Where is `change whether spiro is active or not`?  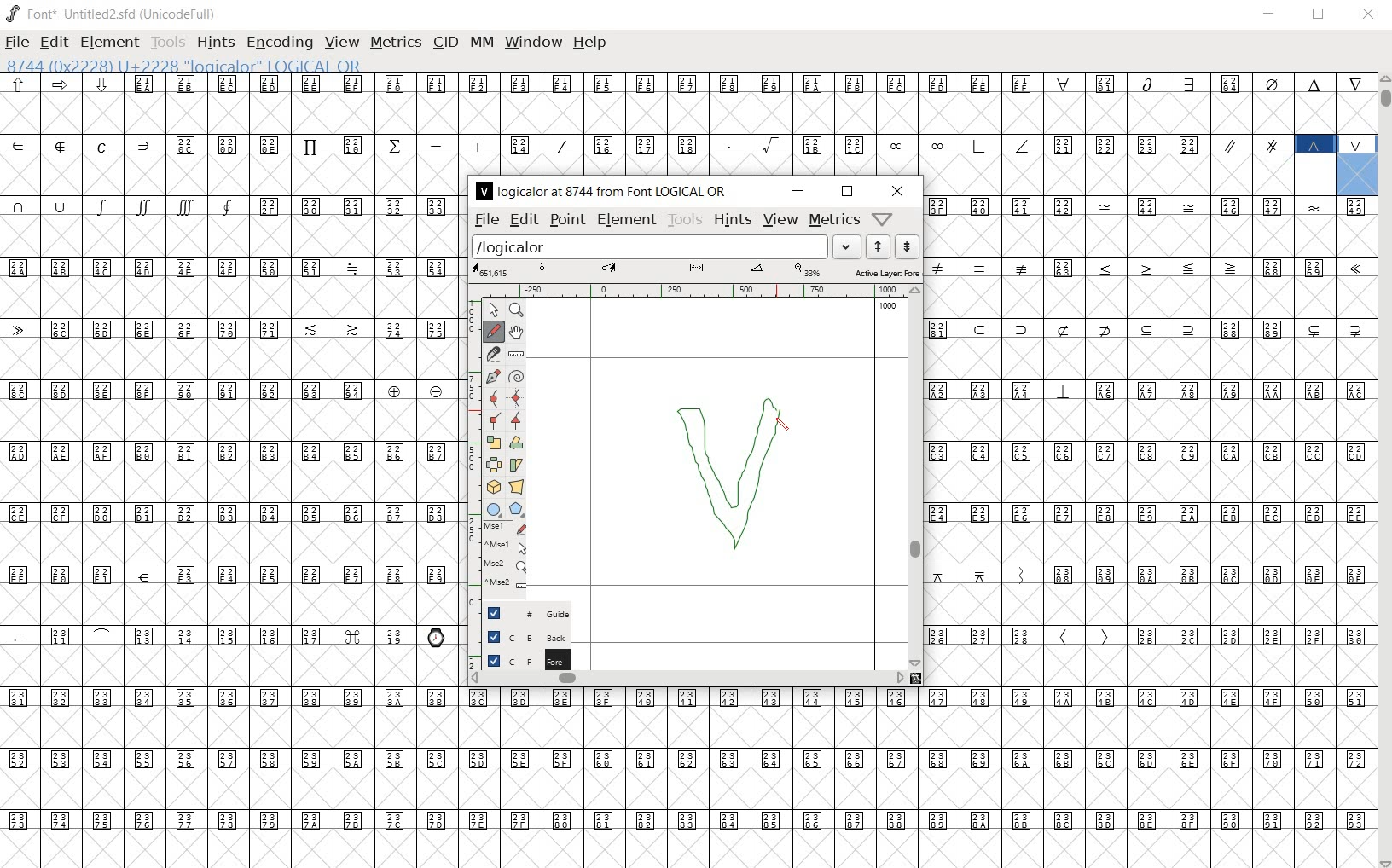 change whether spiro is active or not is located at coordinates (513, 376).